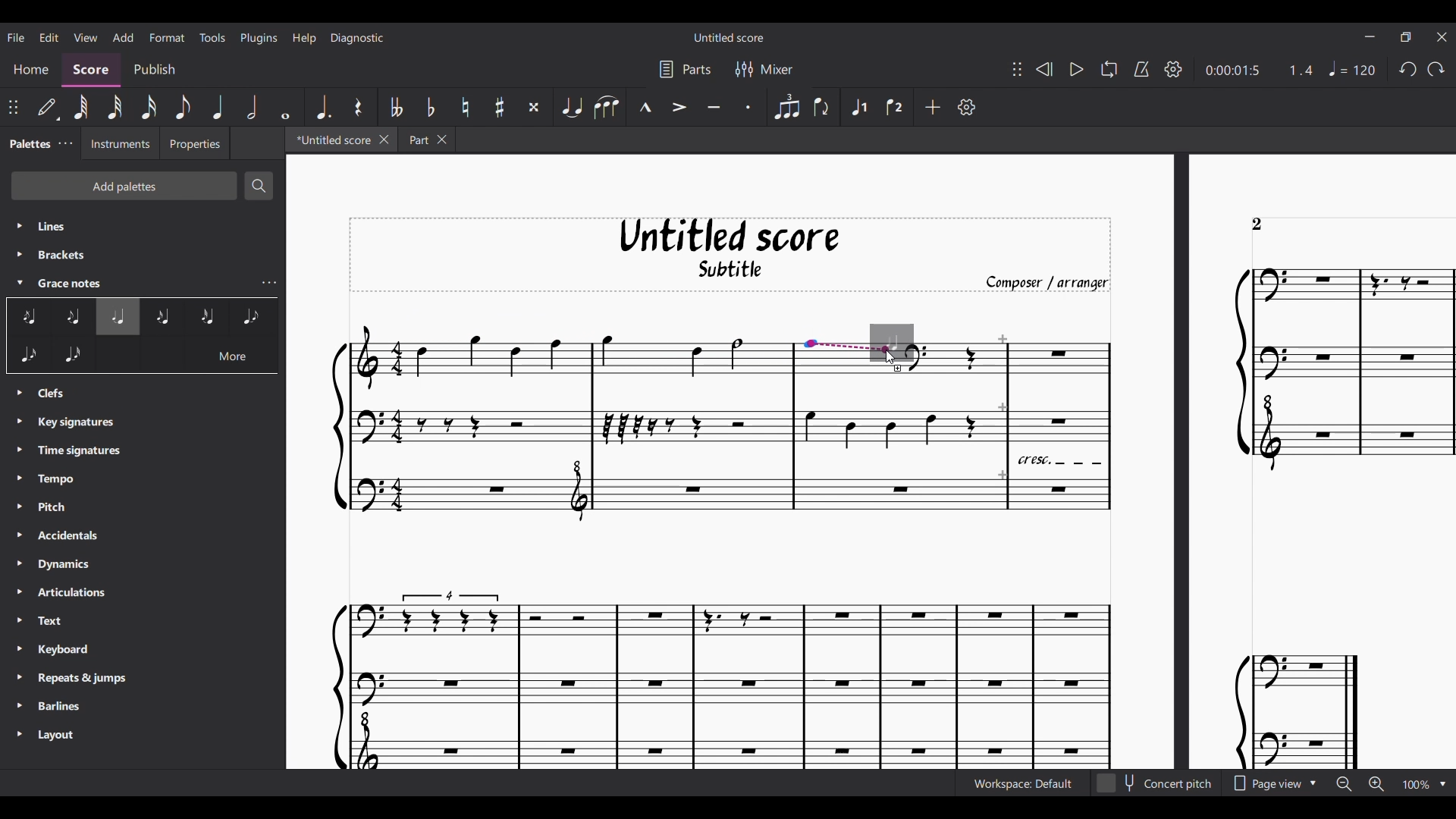 This screenshot has height=819, width=1456. What do you see at coordinates (19, 566) in the screenshot?
I see `Expand respective palette` at bounding box center [19, 566].